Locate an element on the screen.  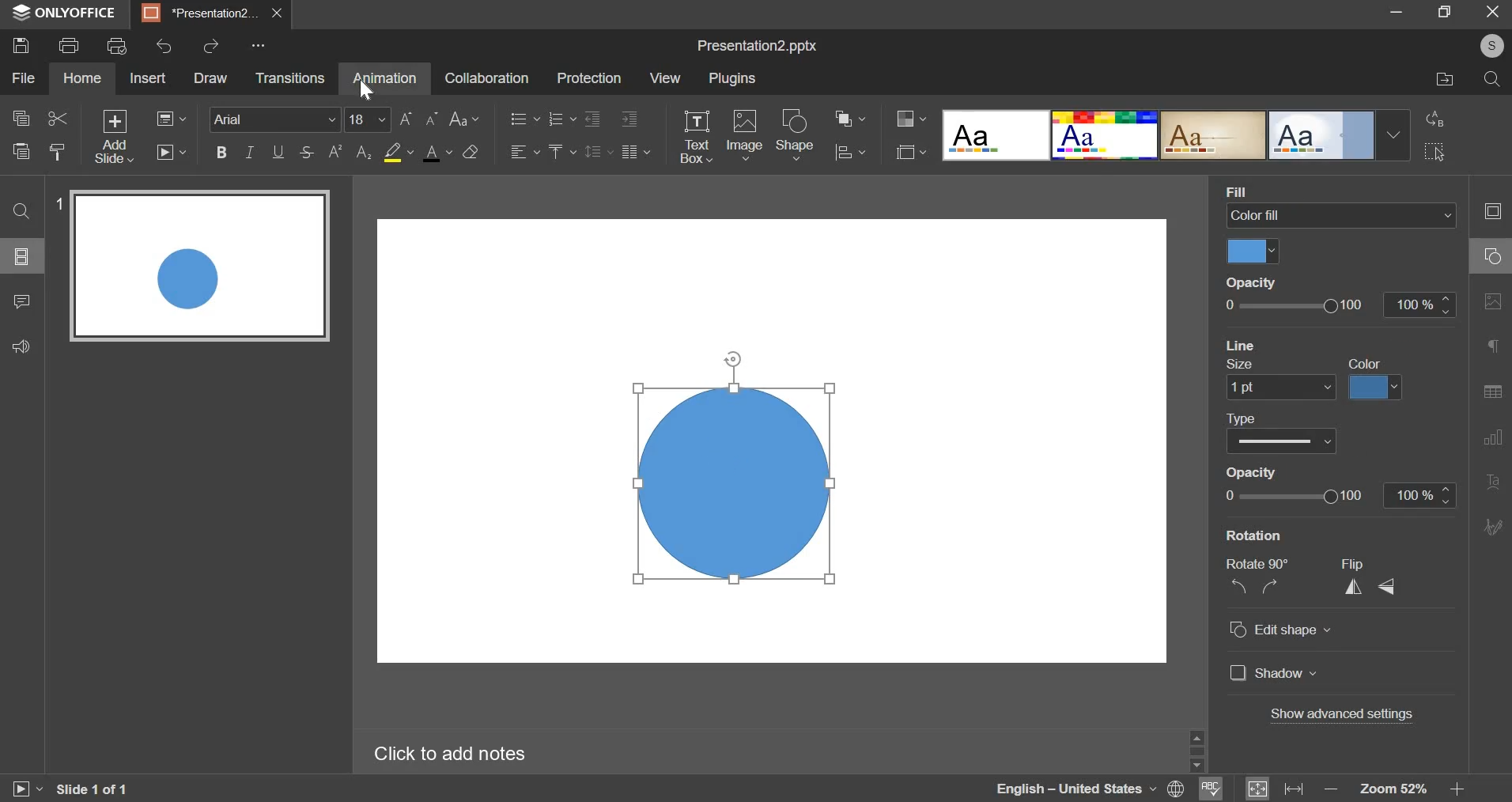
feedback is located at coordinates (24, 347).